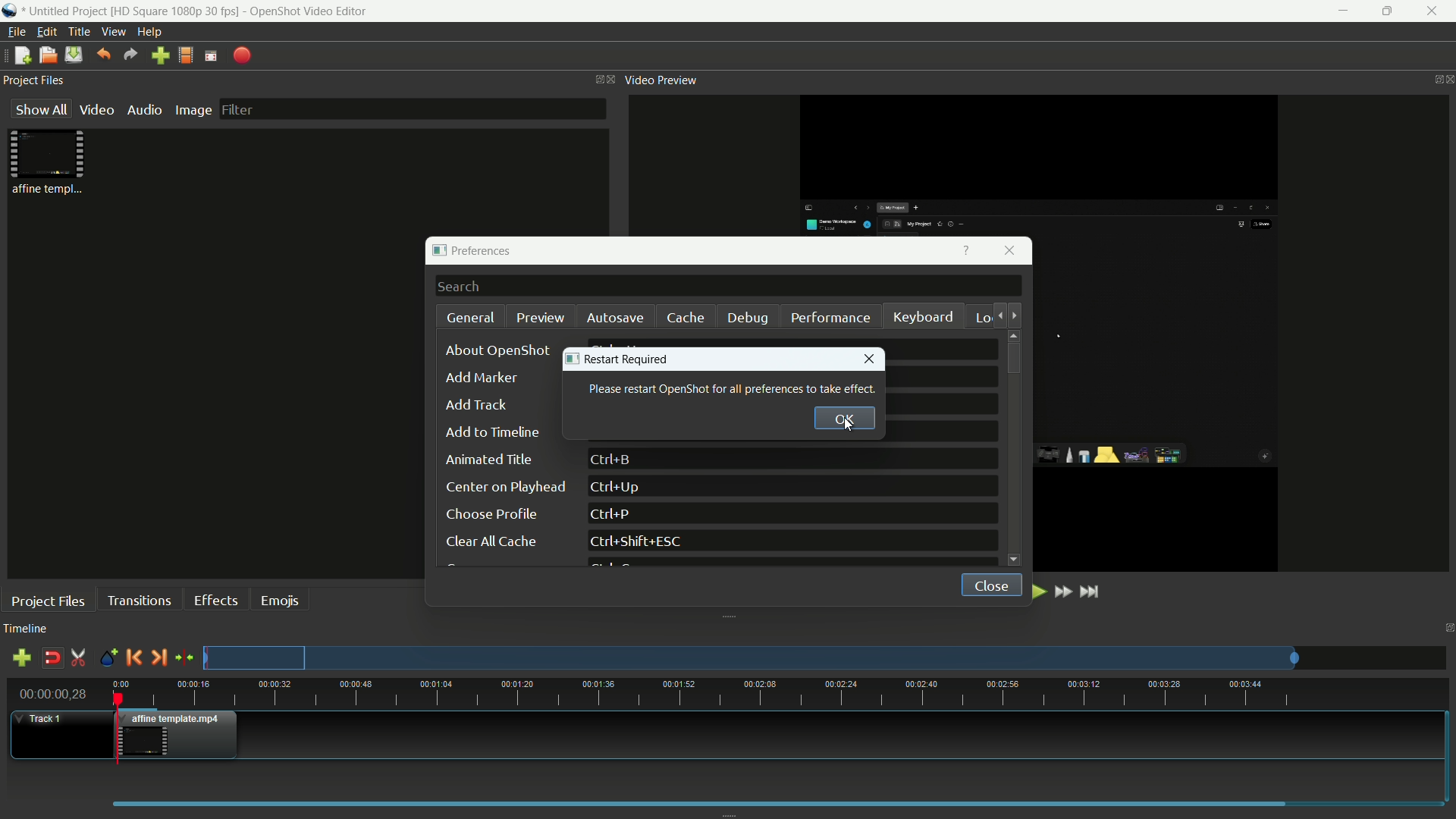  What do you see at coordinates (67, 12) in the screenshot?
I see `project name` at bounding box center [67, 12].